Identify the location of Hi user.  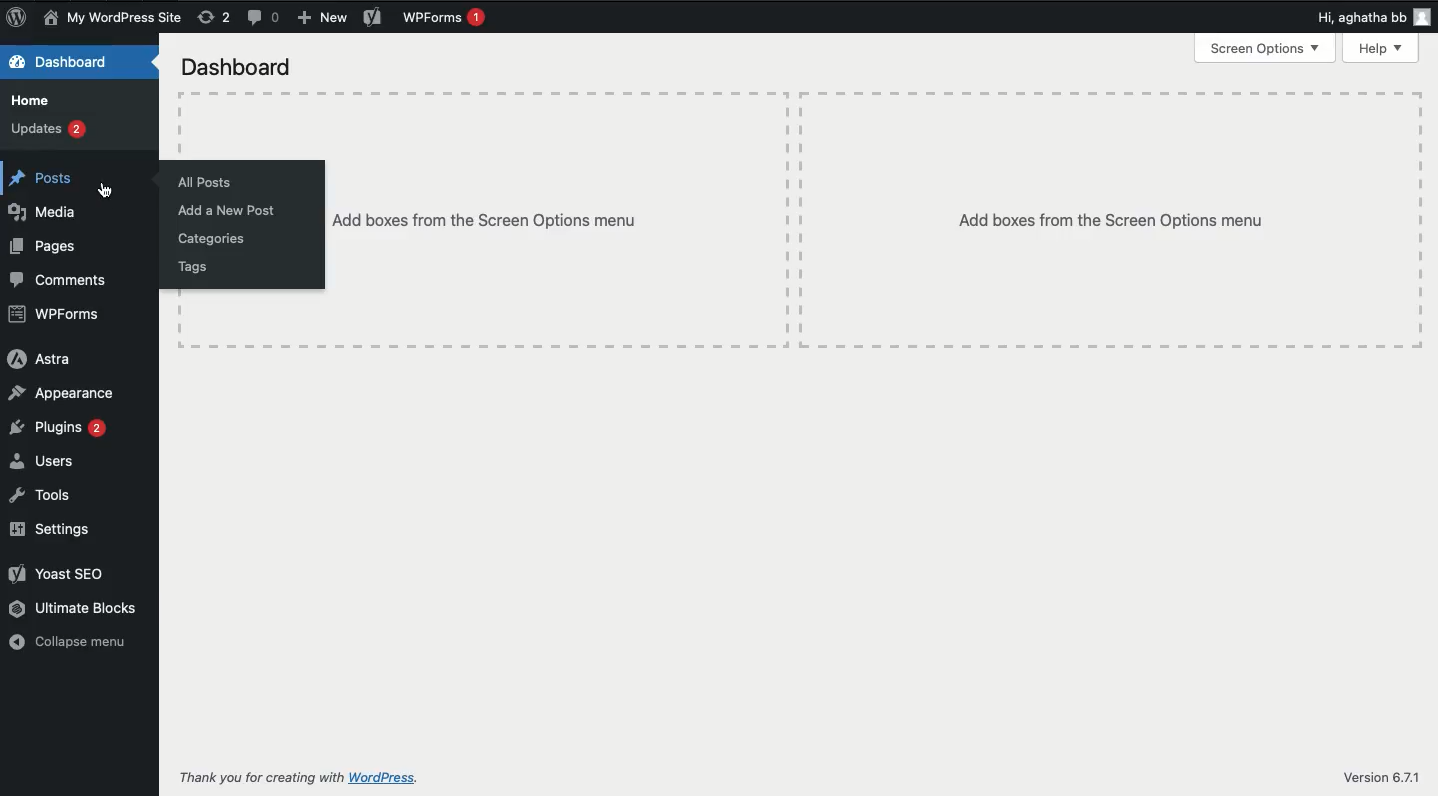
(1374, 18).